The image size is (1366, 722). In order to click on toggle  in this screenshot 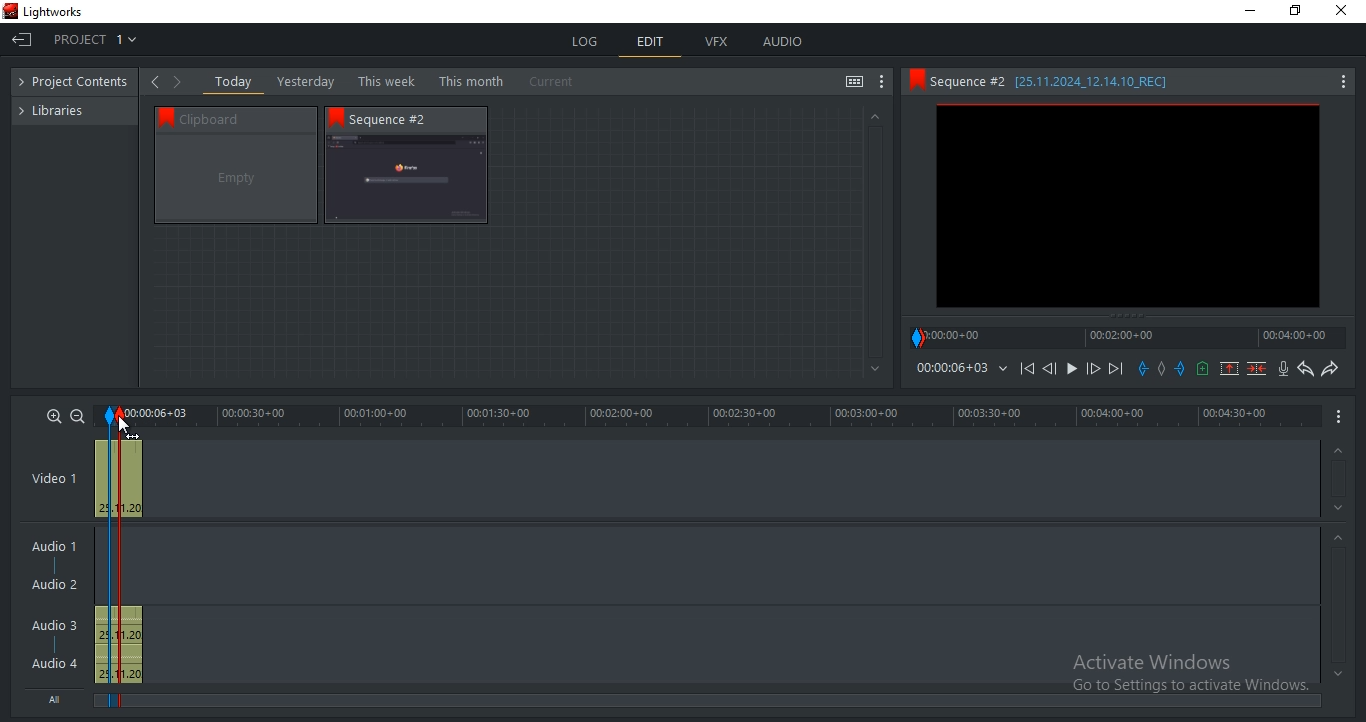, I will do `click(854, 83)`.